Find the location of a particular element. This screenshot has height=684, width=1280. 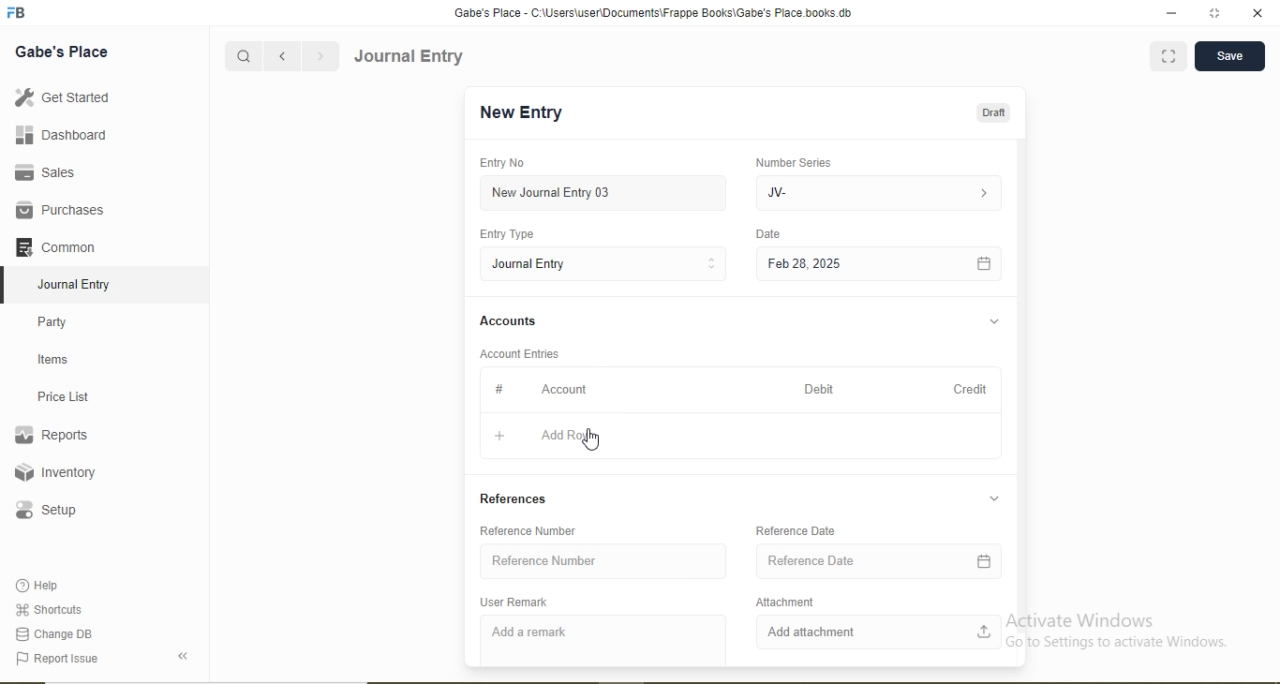

Calendar is located at coordinates (983, 562).